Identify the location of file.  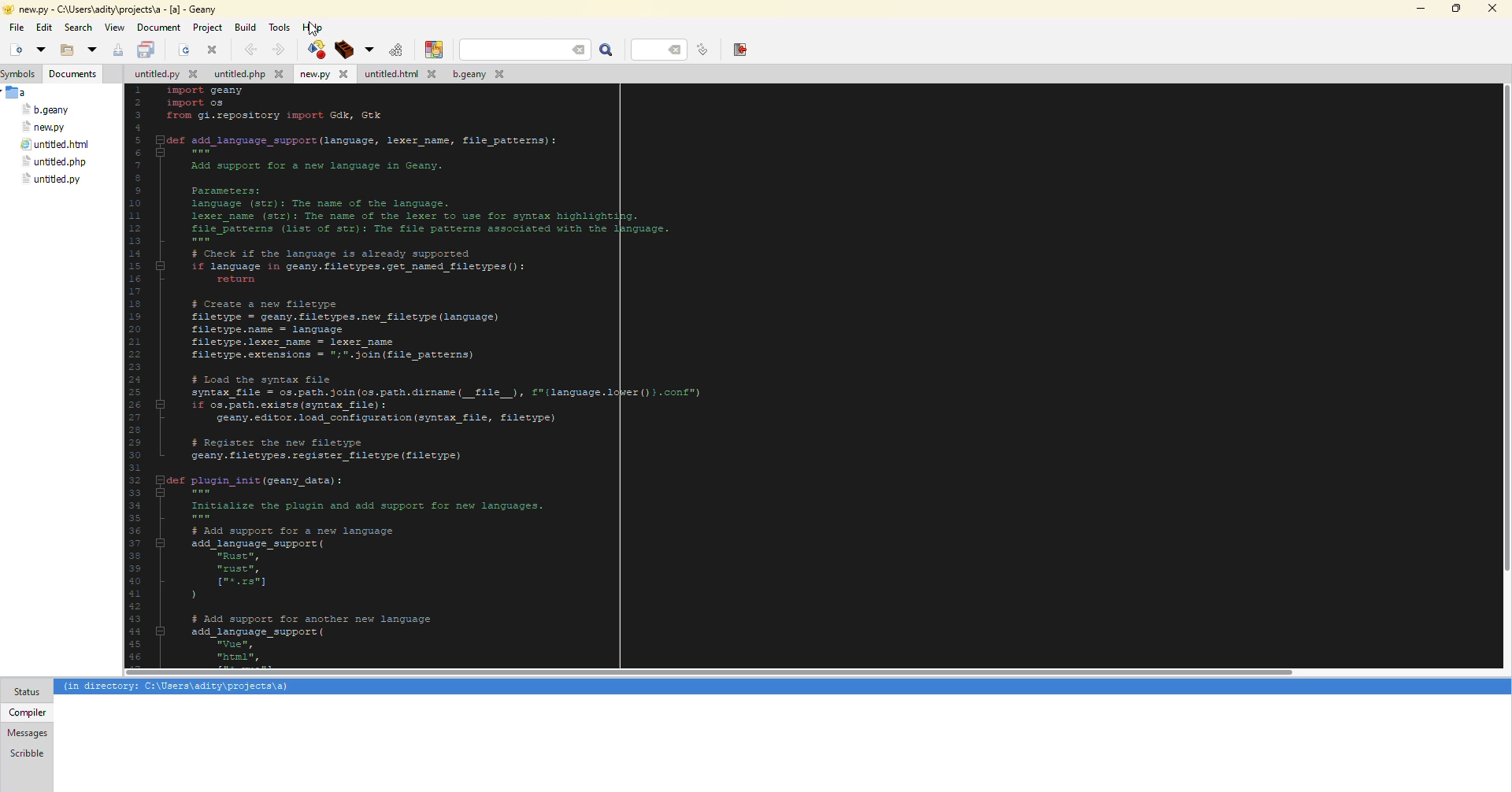
(51, 179).